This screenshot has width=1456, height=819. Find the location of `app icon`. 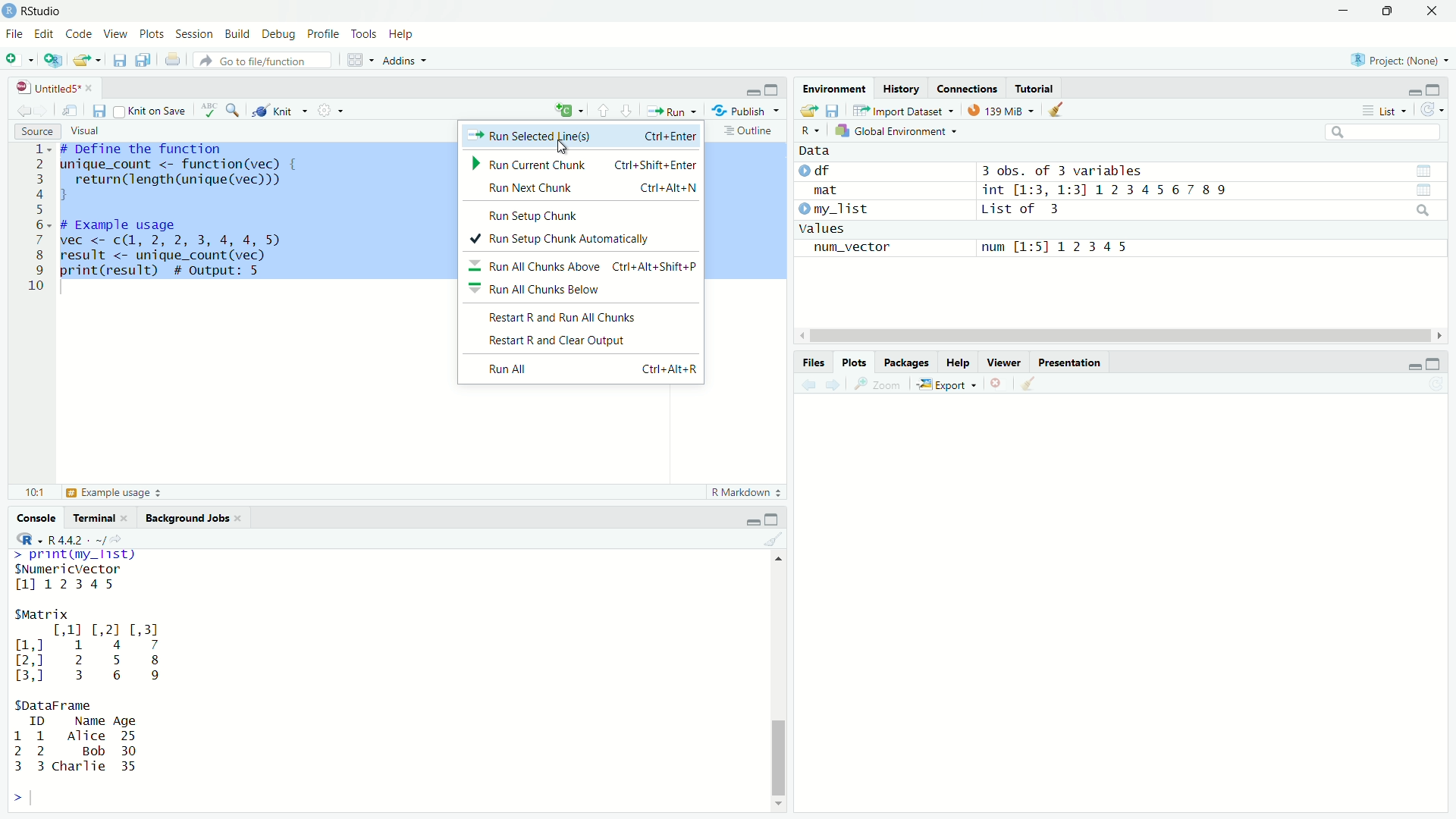

app icon is located at coordinates (9, 11).